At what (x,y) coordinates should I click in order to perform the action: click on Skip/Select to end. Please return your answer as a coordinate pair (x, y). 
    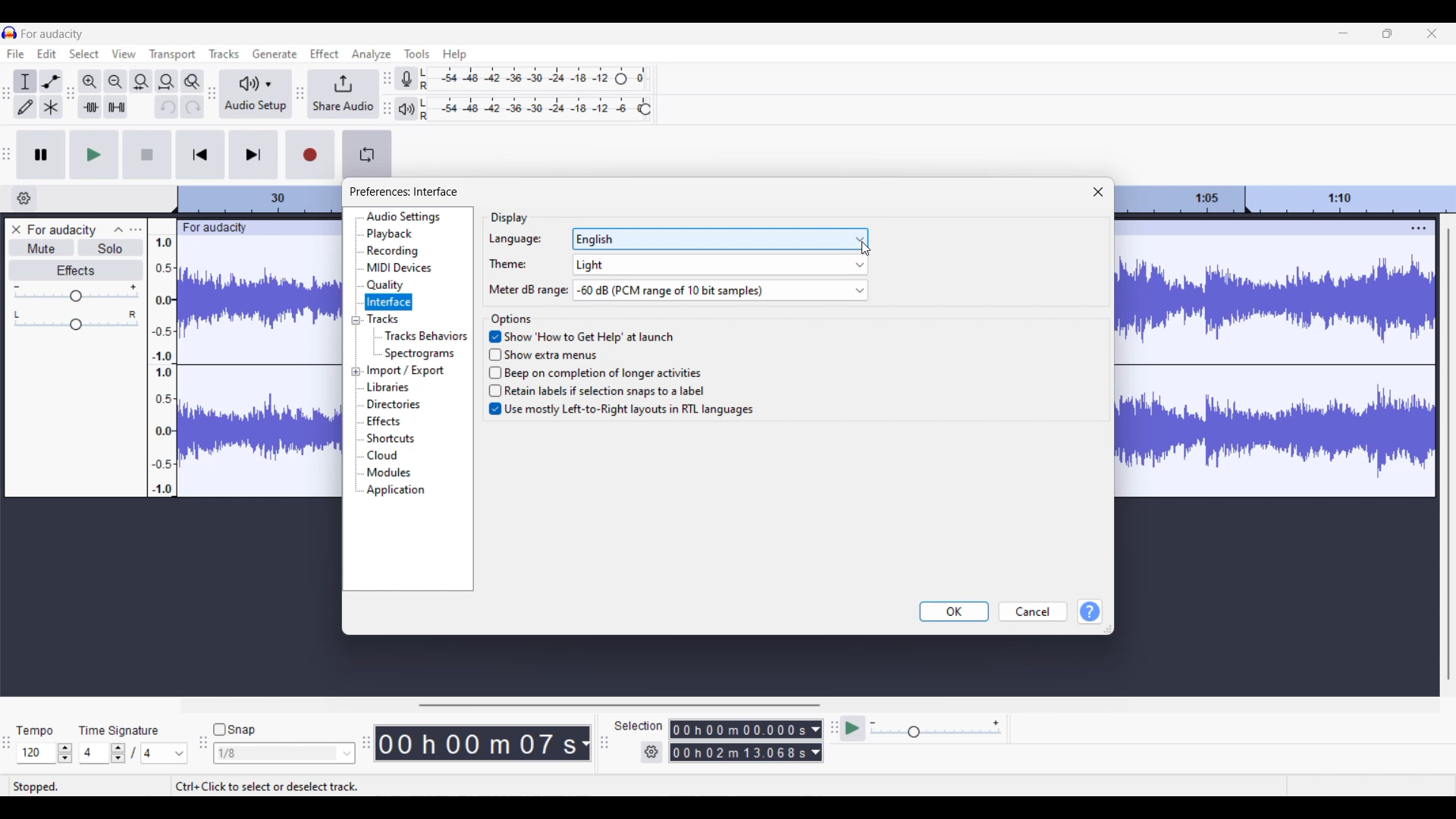
    Looking at the image, I should click on (254, 155).